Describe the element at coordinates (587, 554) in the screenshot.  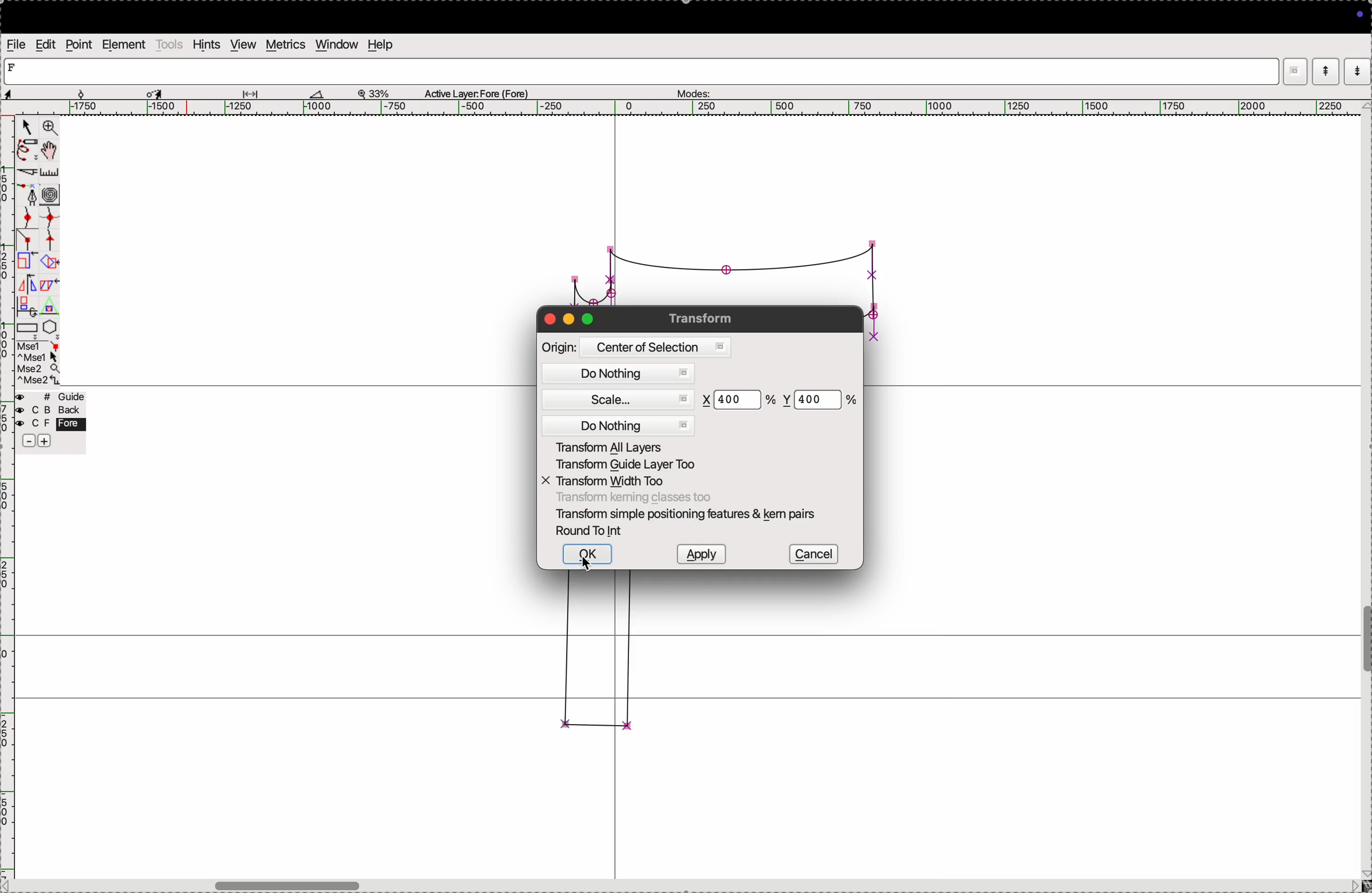
I see `ok` at that location.